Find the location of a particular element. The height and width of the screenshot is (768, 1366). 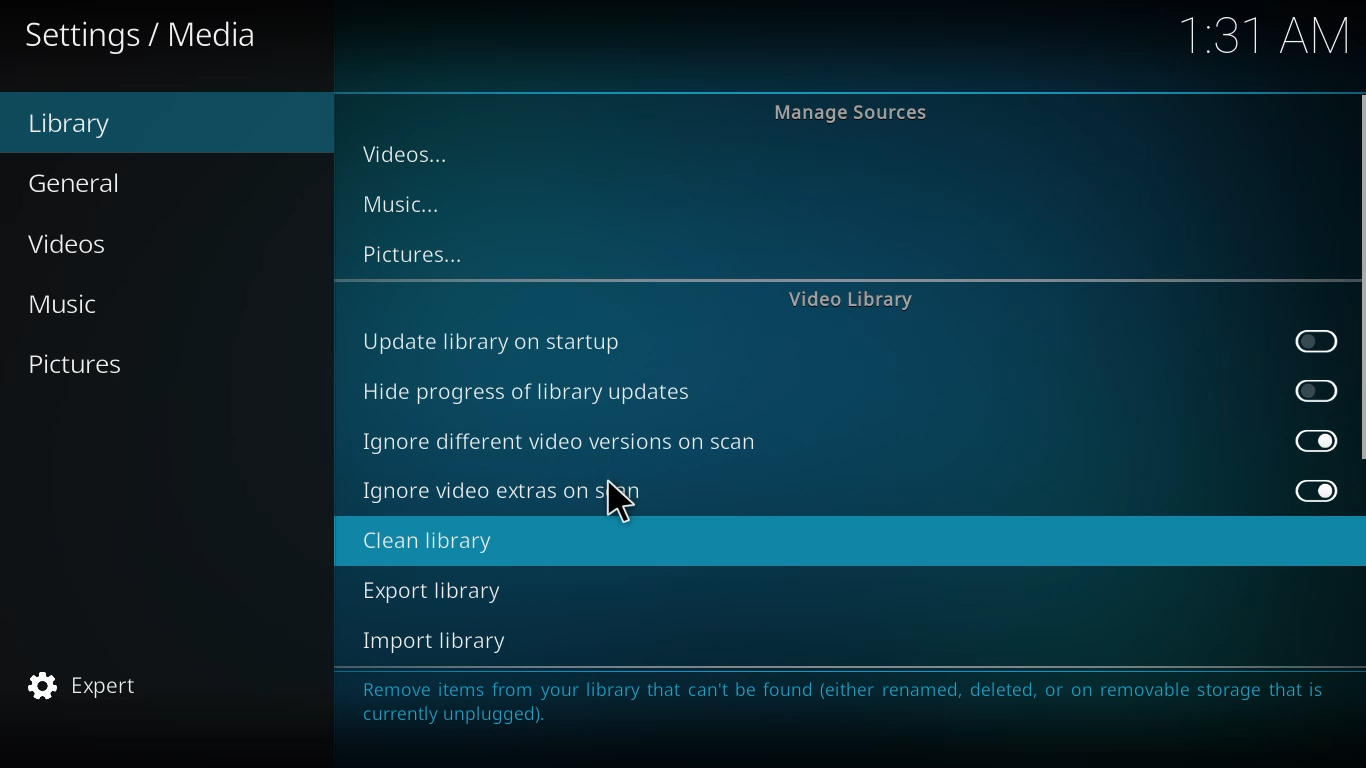

Settings / Media is located at coordinates (149, 43).